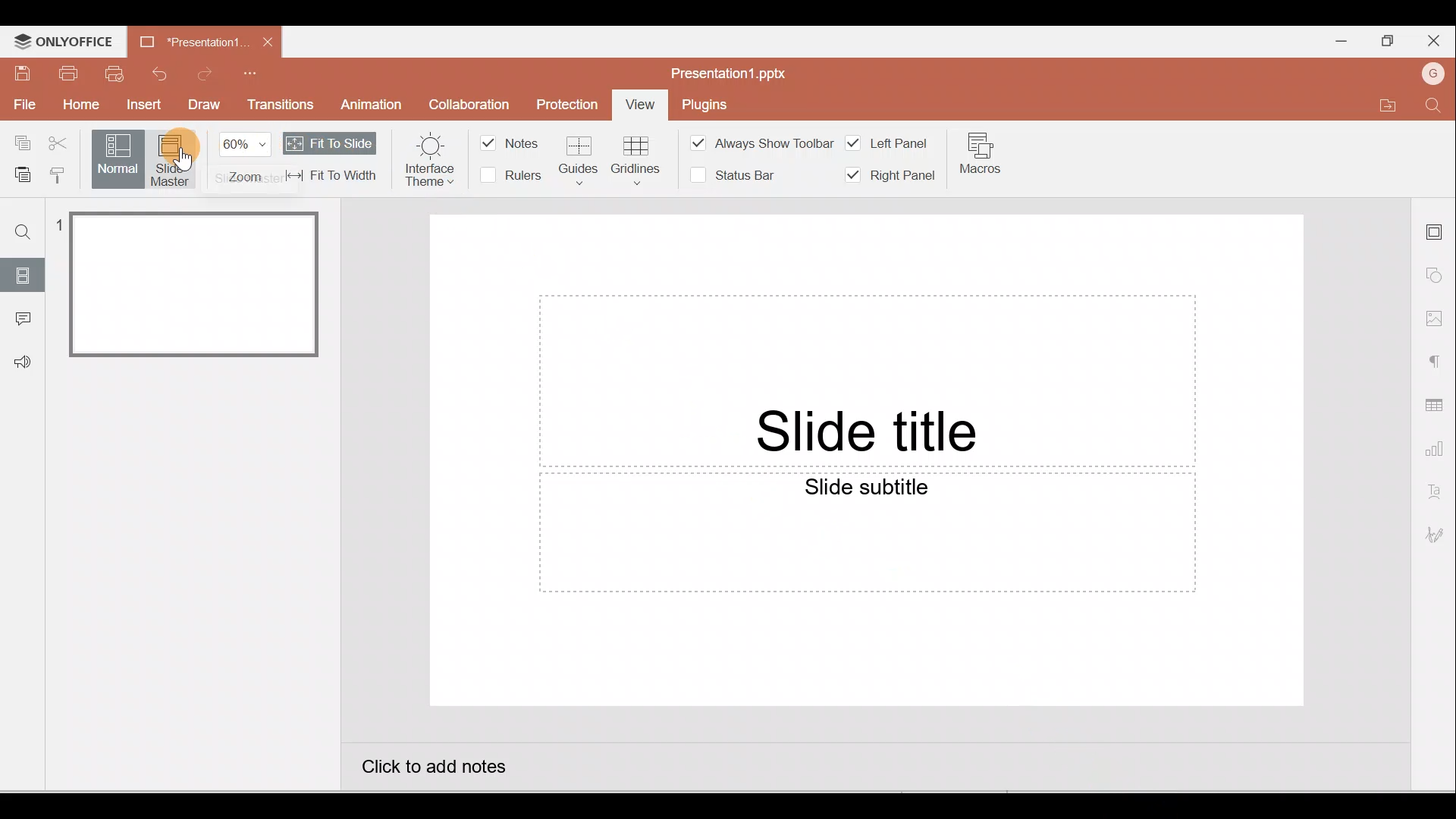  Describe the element at coordinates (866, 462) in the screenshot. I see `Presentation slide` at that location.